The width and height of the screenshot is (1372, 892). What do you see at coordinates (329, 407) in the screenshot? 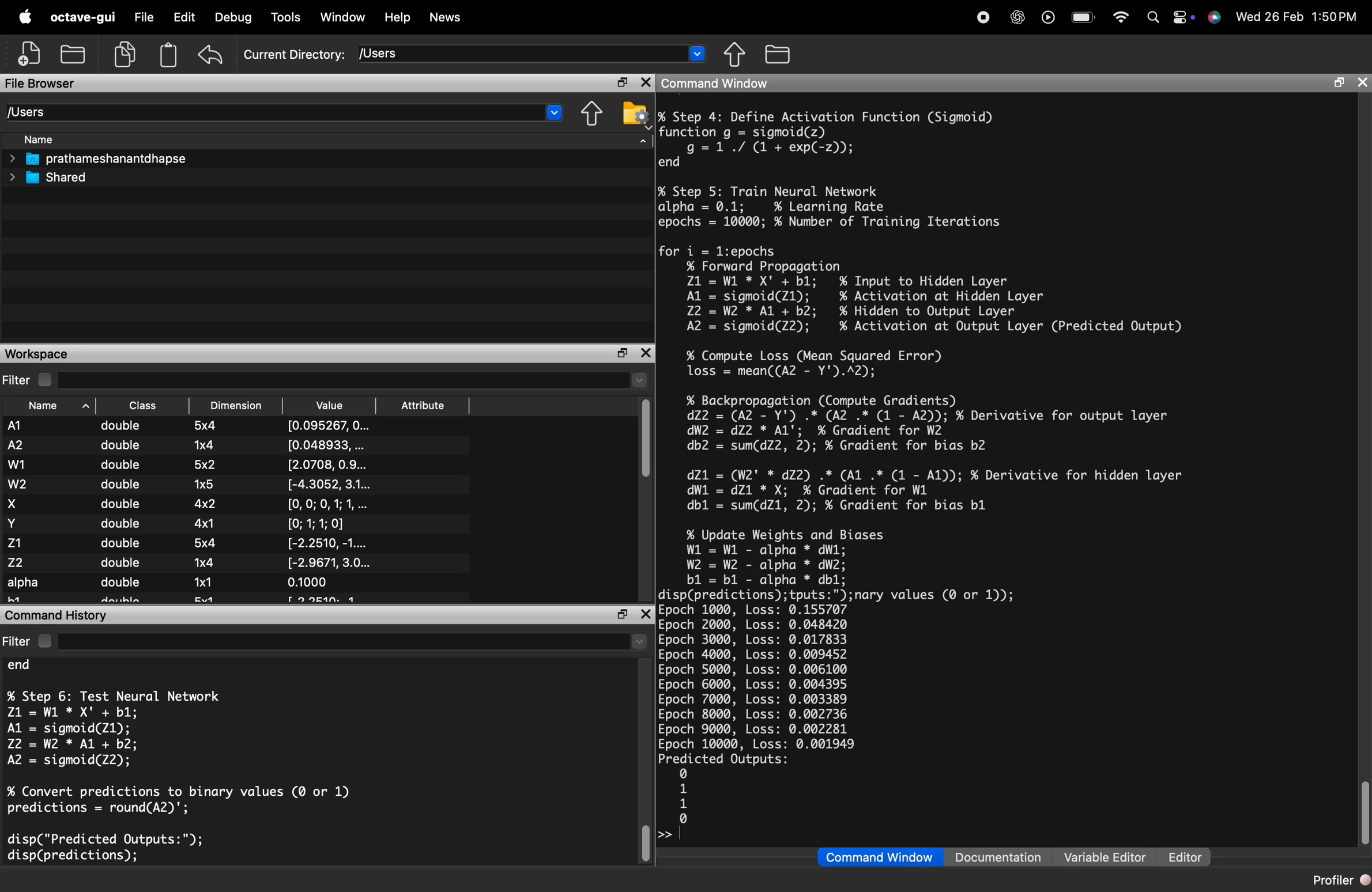
I see `Value` at bounding box center [329, 407].